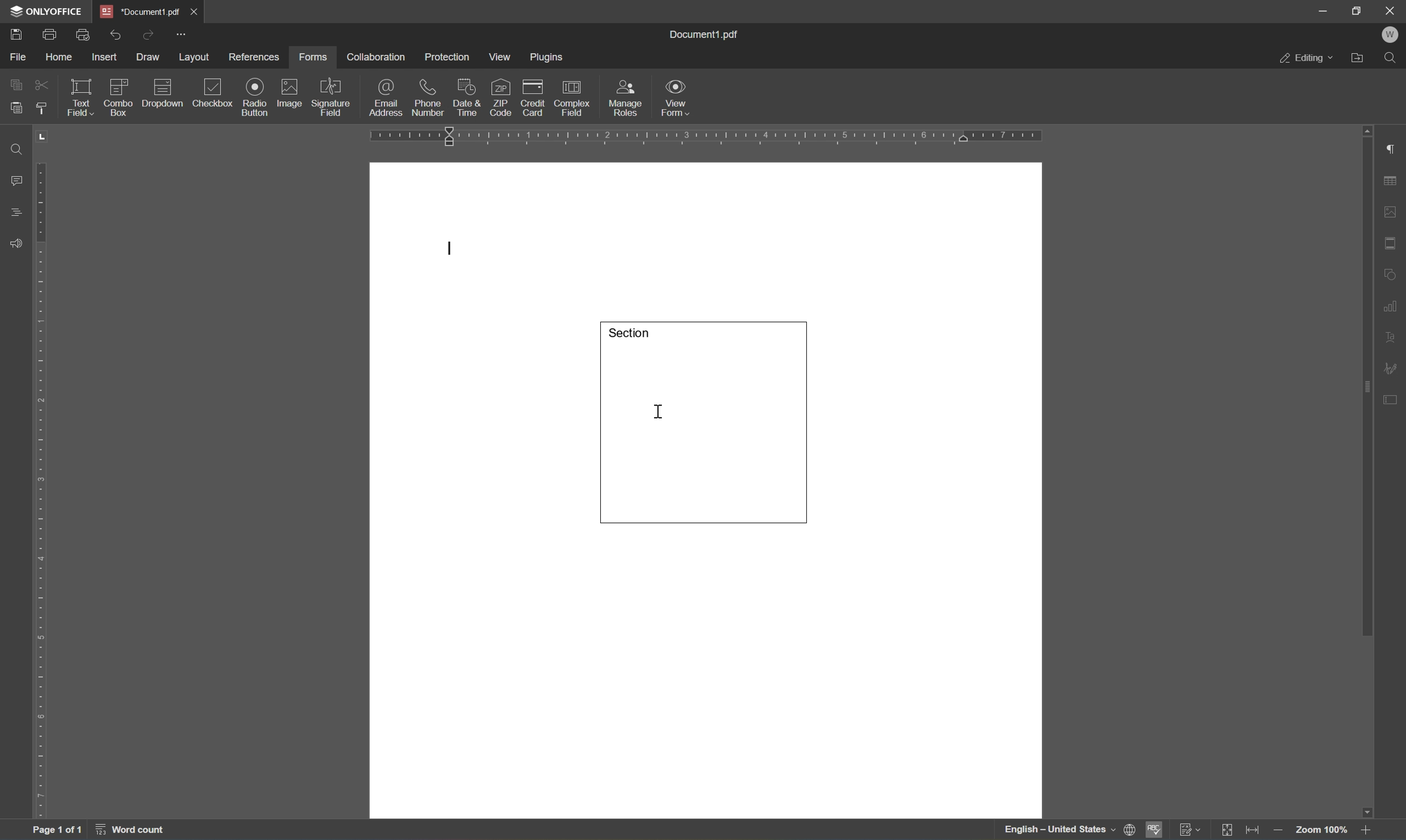 This screenshot has width=1406, height=840. Describe the element at coordinates (13, 148) in the screenshot. I see `find` at that location.